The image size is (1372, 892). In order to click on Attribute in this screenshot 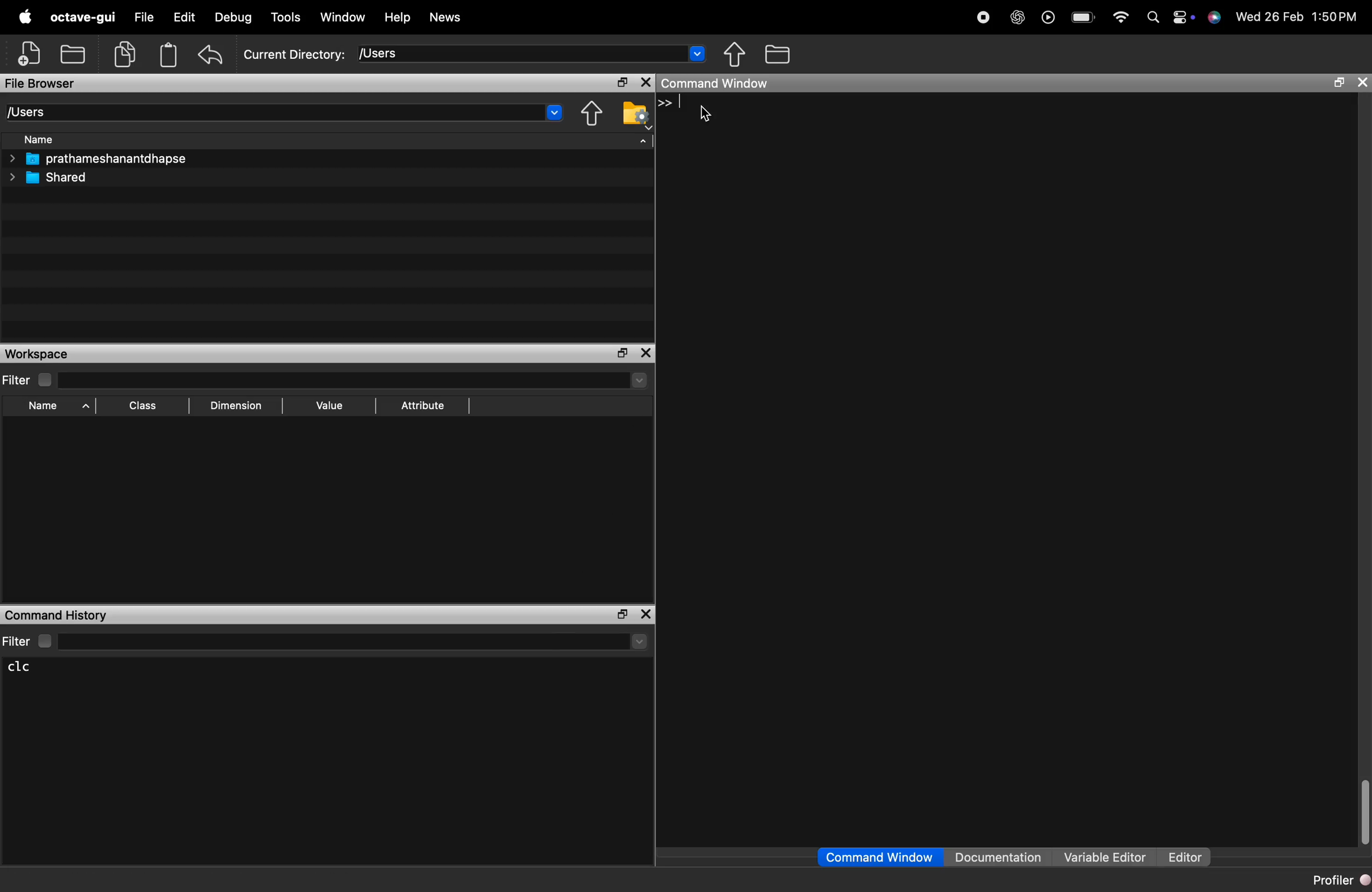, I will do `click(424, 406)`.